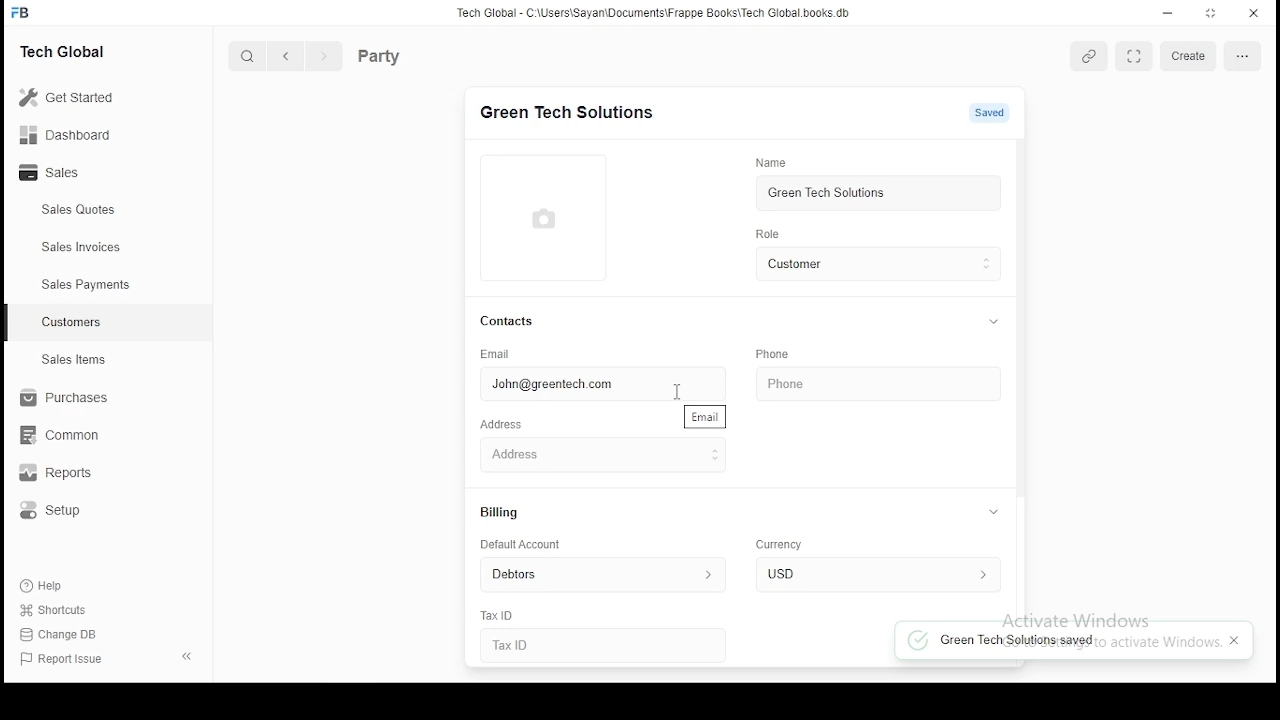 This screenshot has width=1280, height=720. I want to click on phone, so click(814, 380).